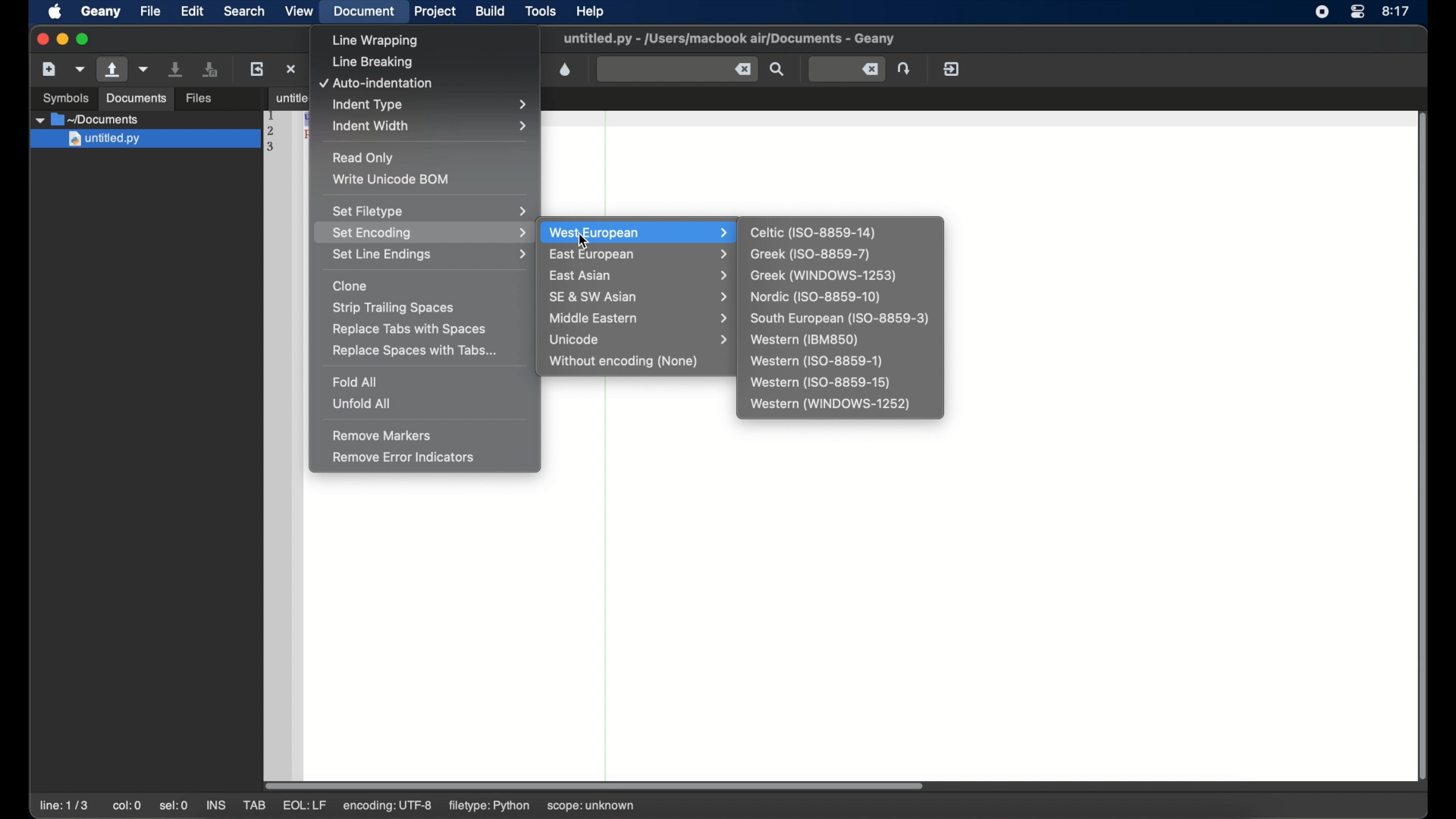 Image resolution: width=1456 pixels, height=819 pixels. I want to click on remove markers, so click(382, 435).